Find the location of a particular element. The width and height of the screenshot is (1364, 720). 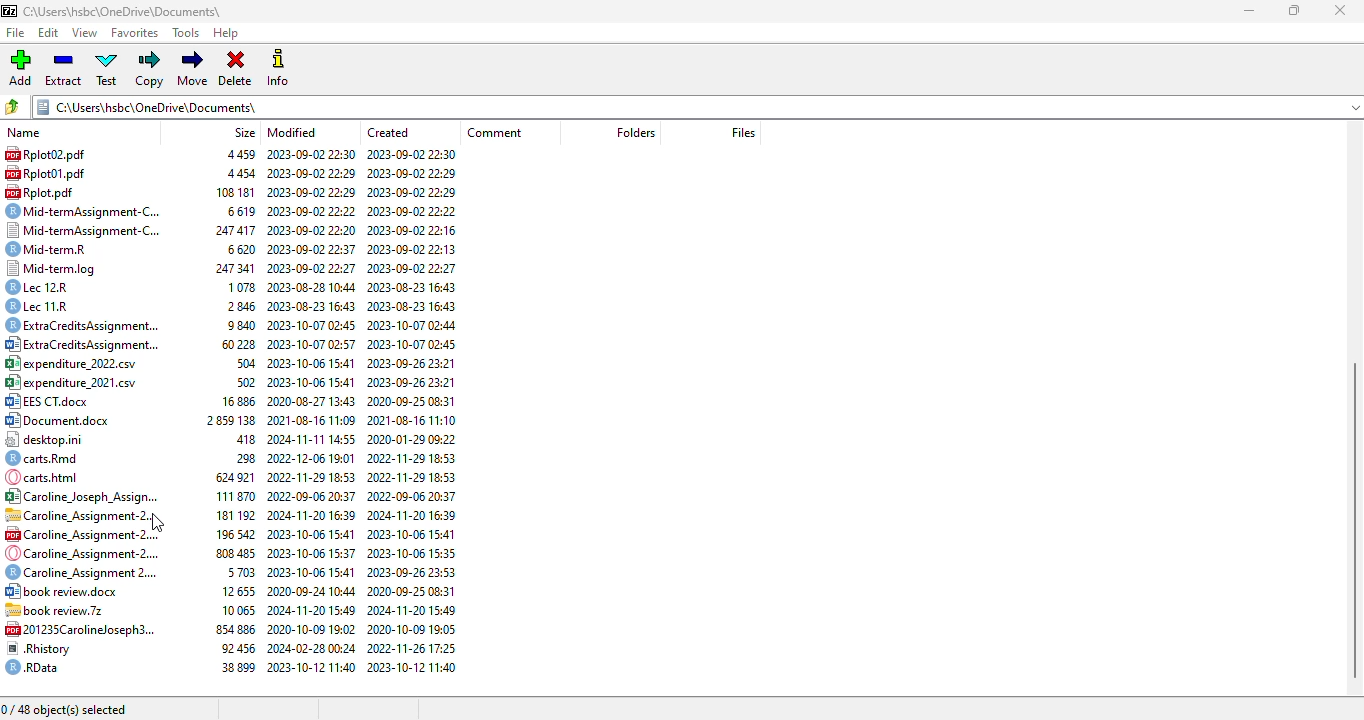

favorites is located at coordinates (135, 33).